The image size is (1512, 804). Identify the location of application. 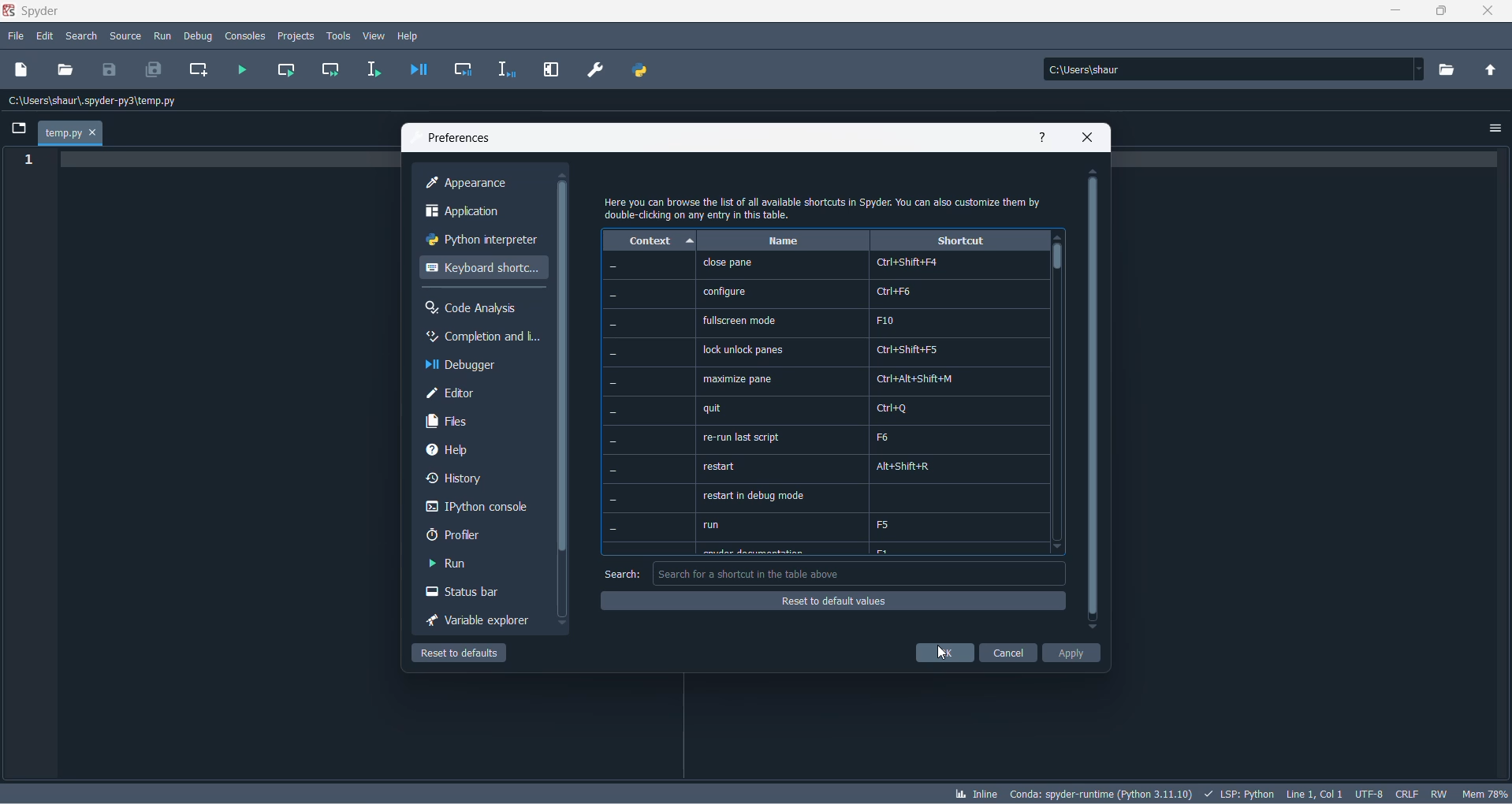
(481, 213).